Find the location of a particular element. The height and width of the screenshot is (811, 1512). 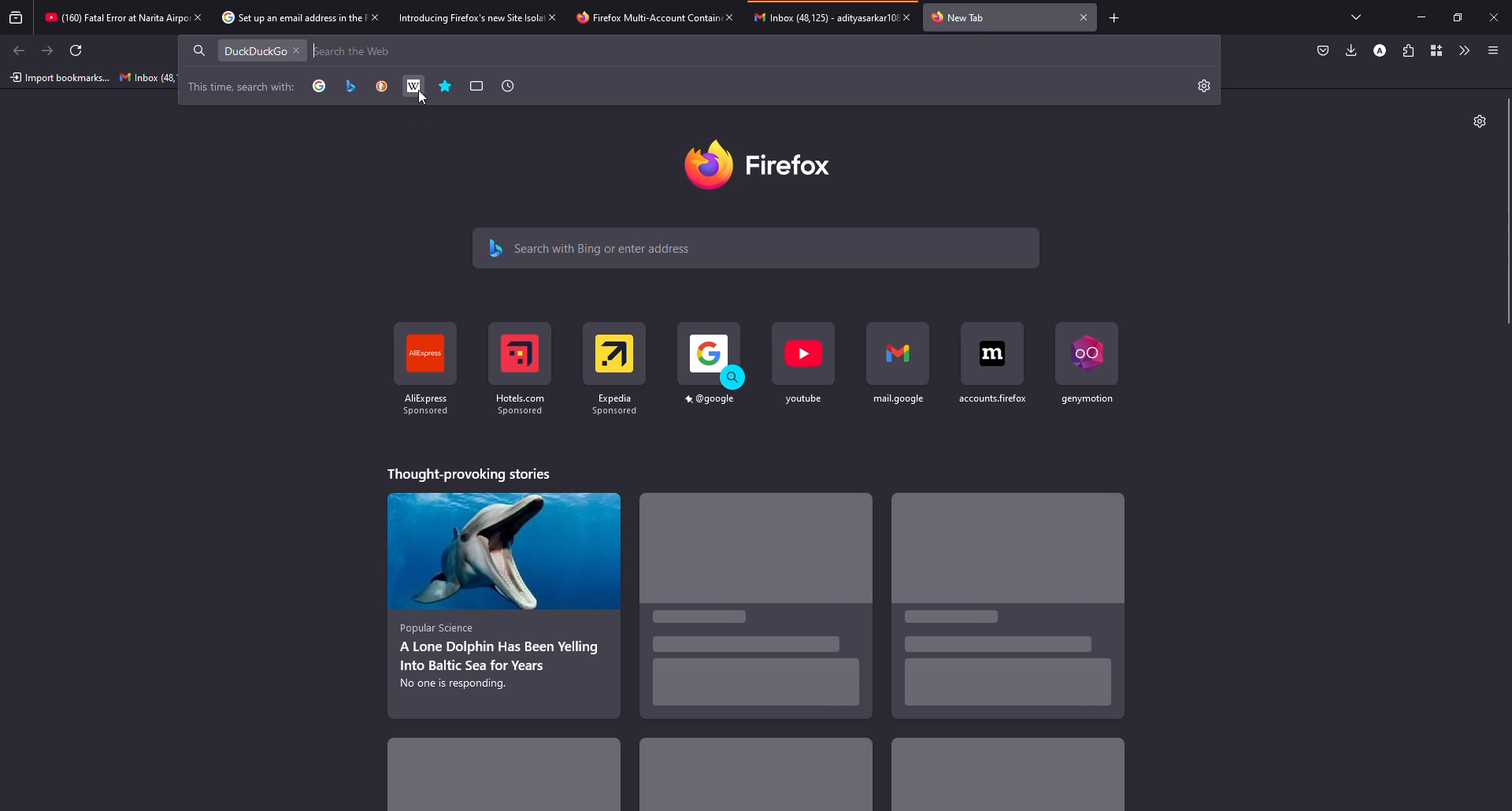

close is located at coordinates (1494, 17).